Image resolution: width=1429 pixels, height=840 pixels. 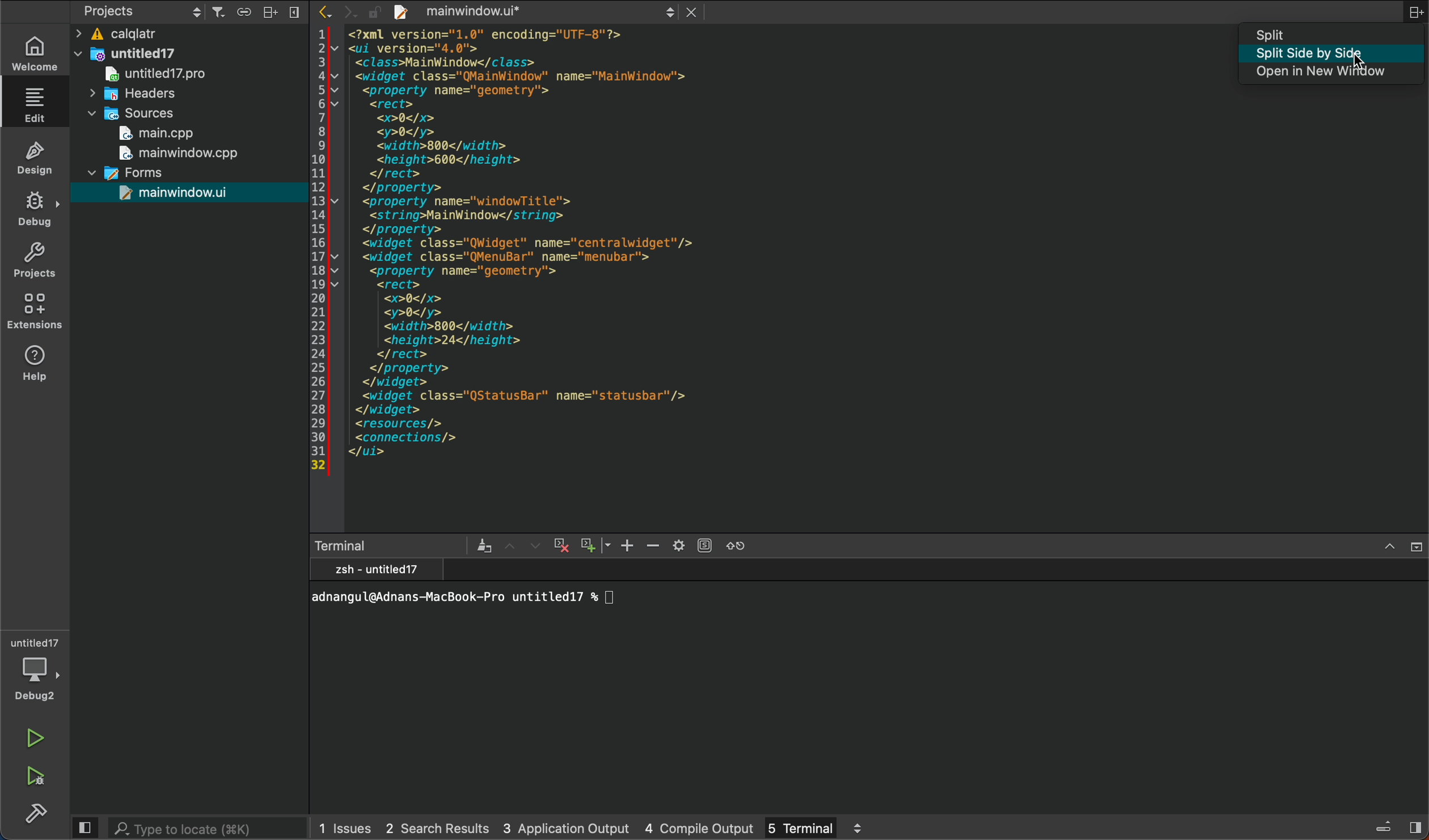 I want to click on file tab, so click(x=520, y=11).